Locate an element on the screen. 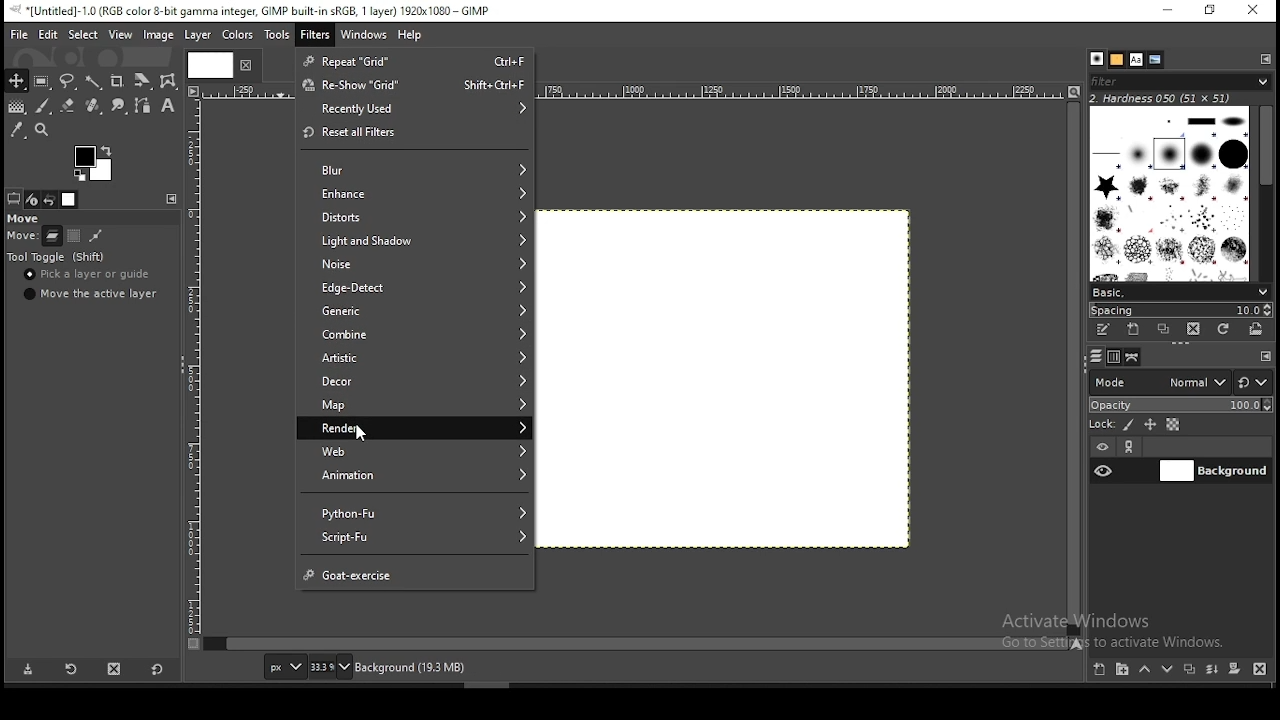  text tool is located at coordinates (168, 106).